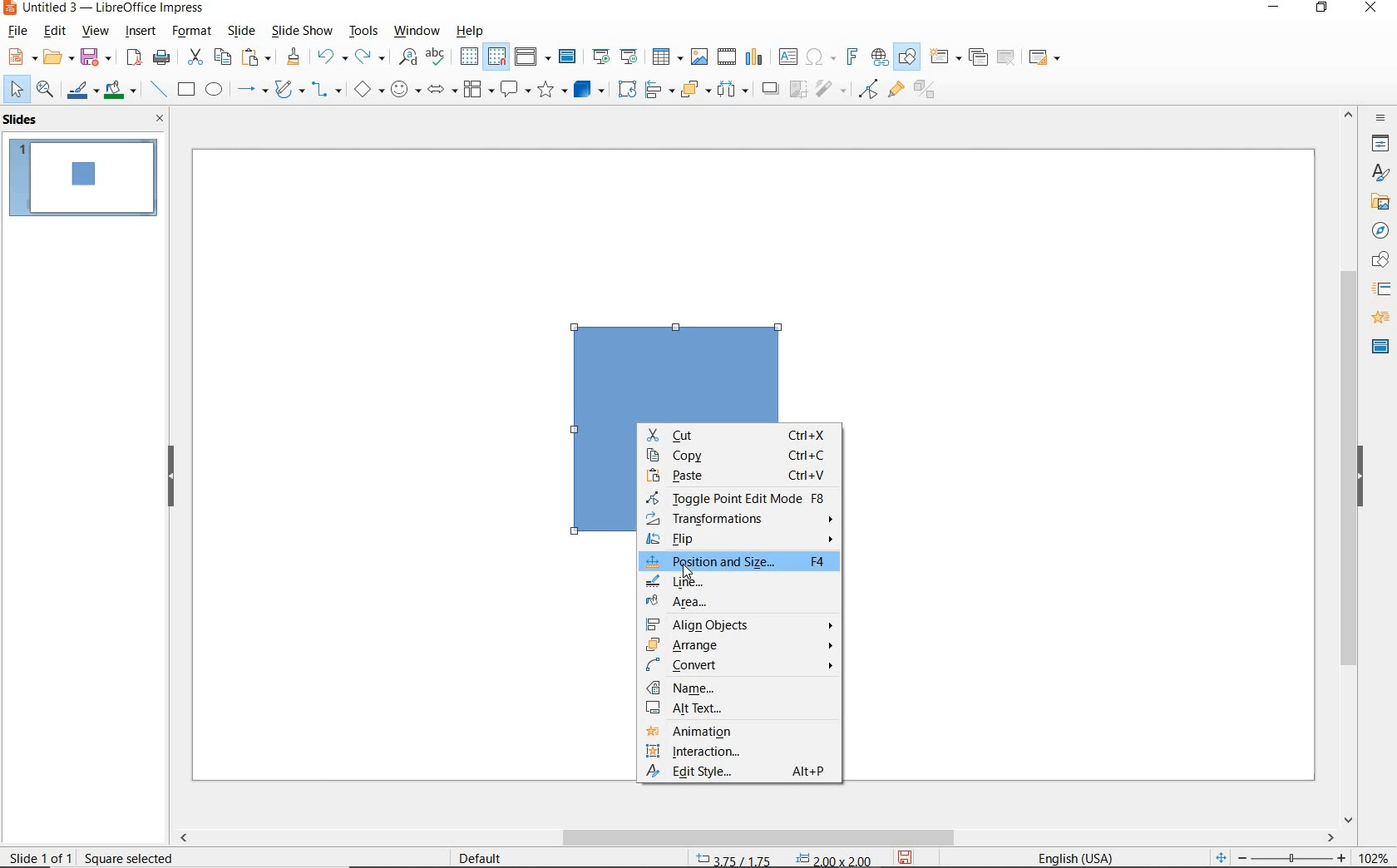  I want to click on lines and arrows, so click(251, 90).